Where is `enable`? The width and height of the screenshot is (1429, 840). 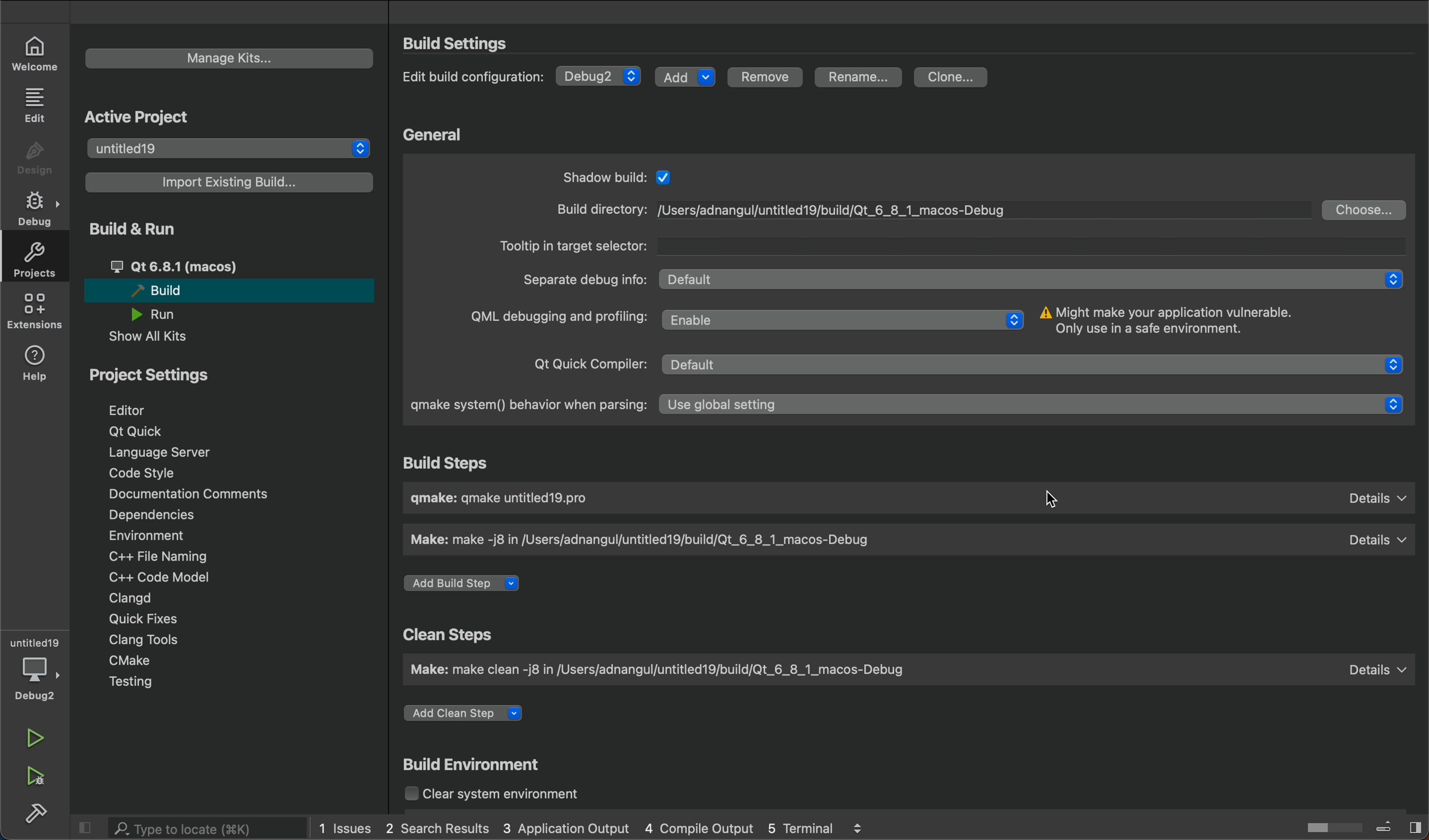 enable is located at coordinates (846, 320).